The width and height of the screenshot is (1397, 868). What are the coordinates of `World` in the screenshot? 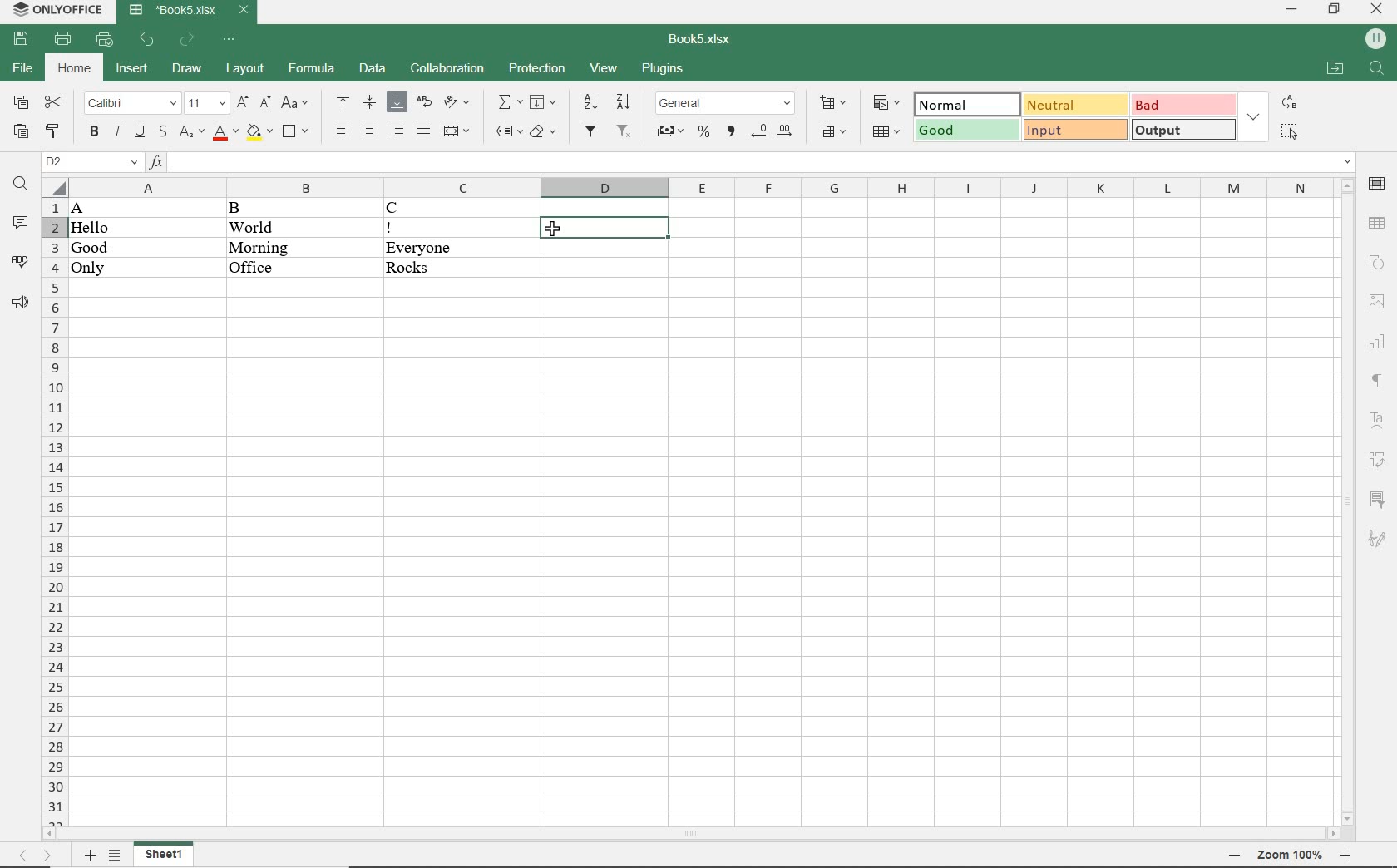 It's located at (274, 226).